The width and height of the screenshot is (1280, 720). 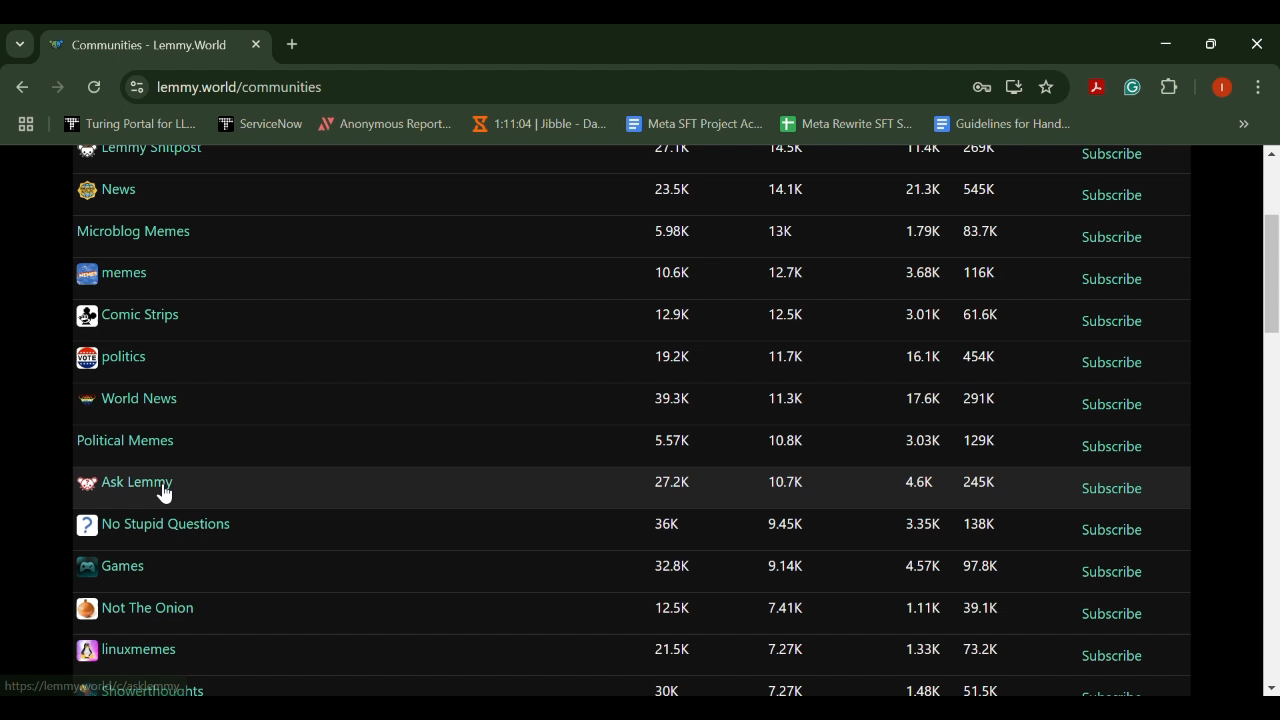 What do you see at coordinates (138, 609) in the screenshot?
I see `Not The Onion` at bounding box center [138, 609].